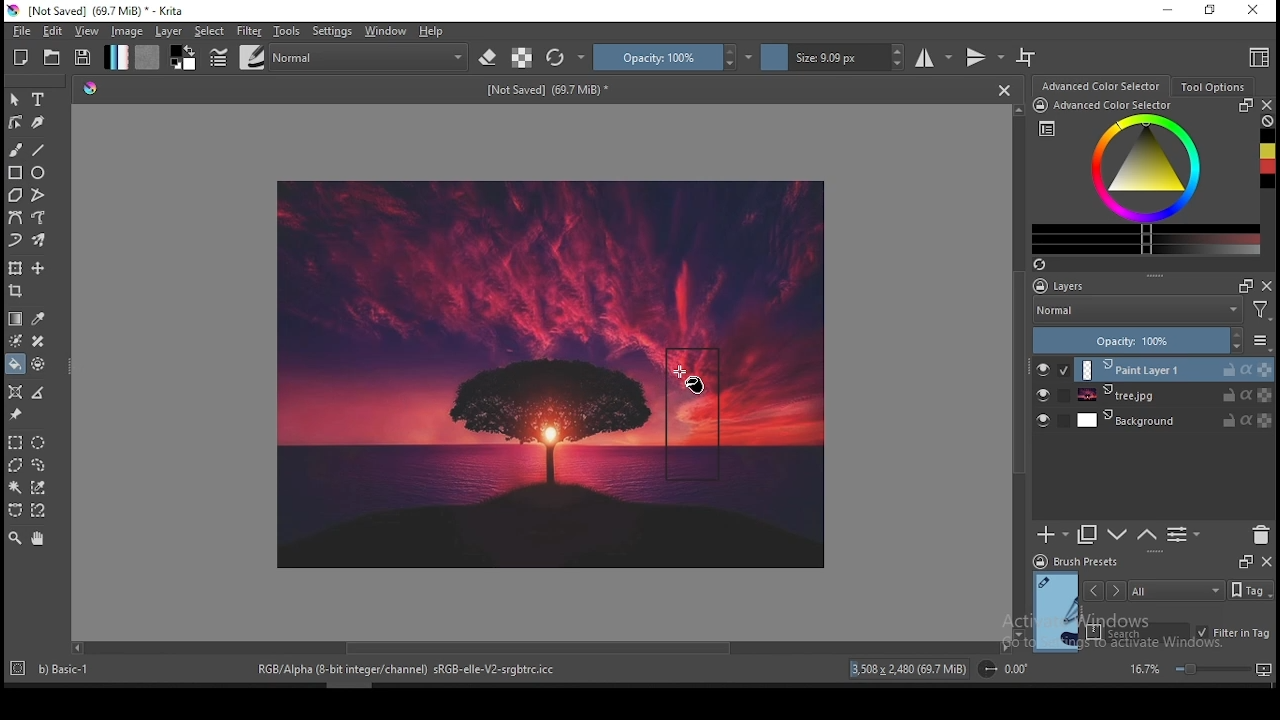  What do you see at coordinates (40, 463) in the screenshot?
I see `freehand selection tool` at bounding box center [40, 463].